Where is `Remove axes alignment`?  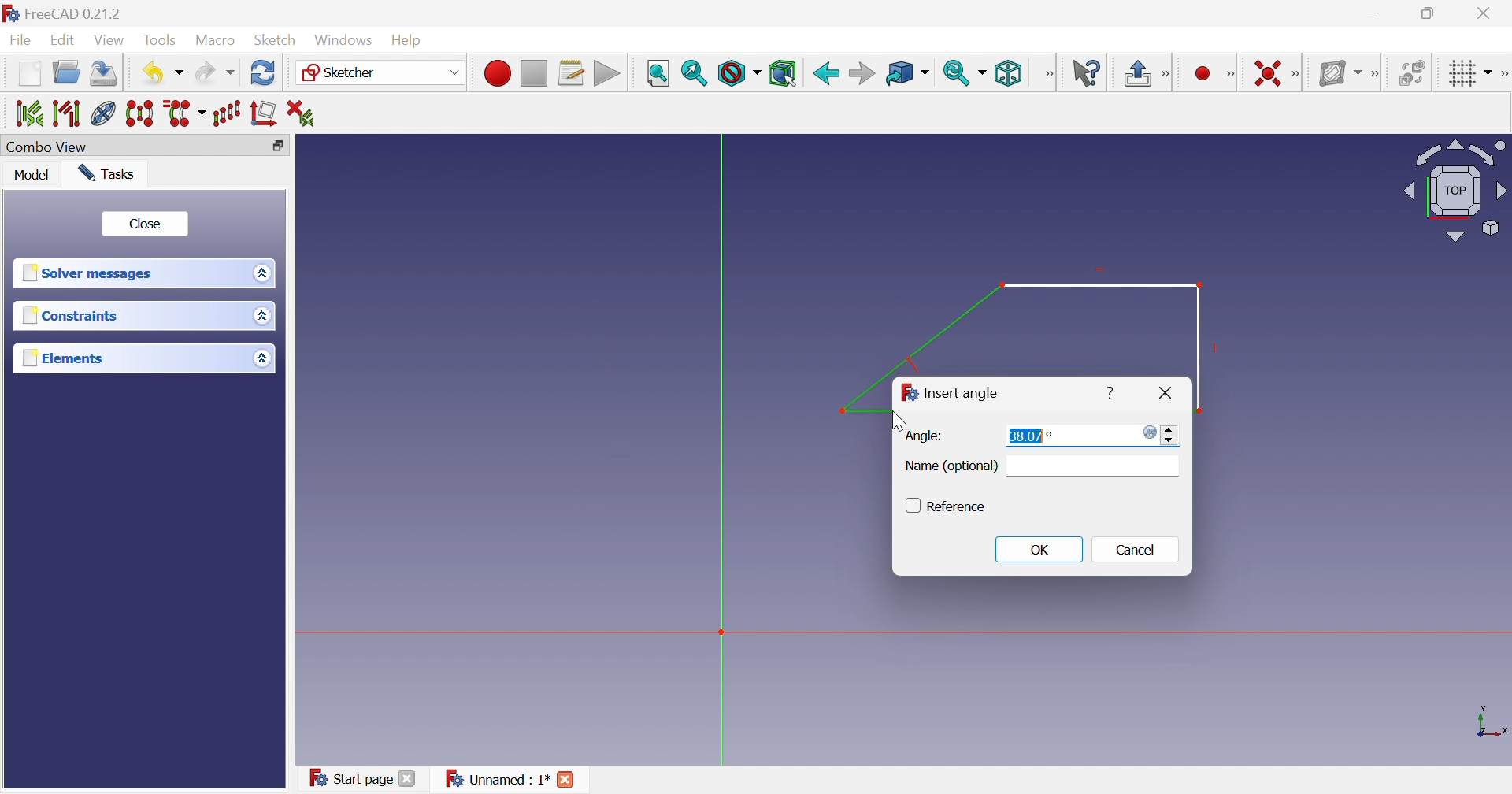
Remove axes alignment is located at coordinates (264, 116).